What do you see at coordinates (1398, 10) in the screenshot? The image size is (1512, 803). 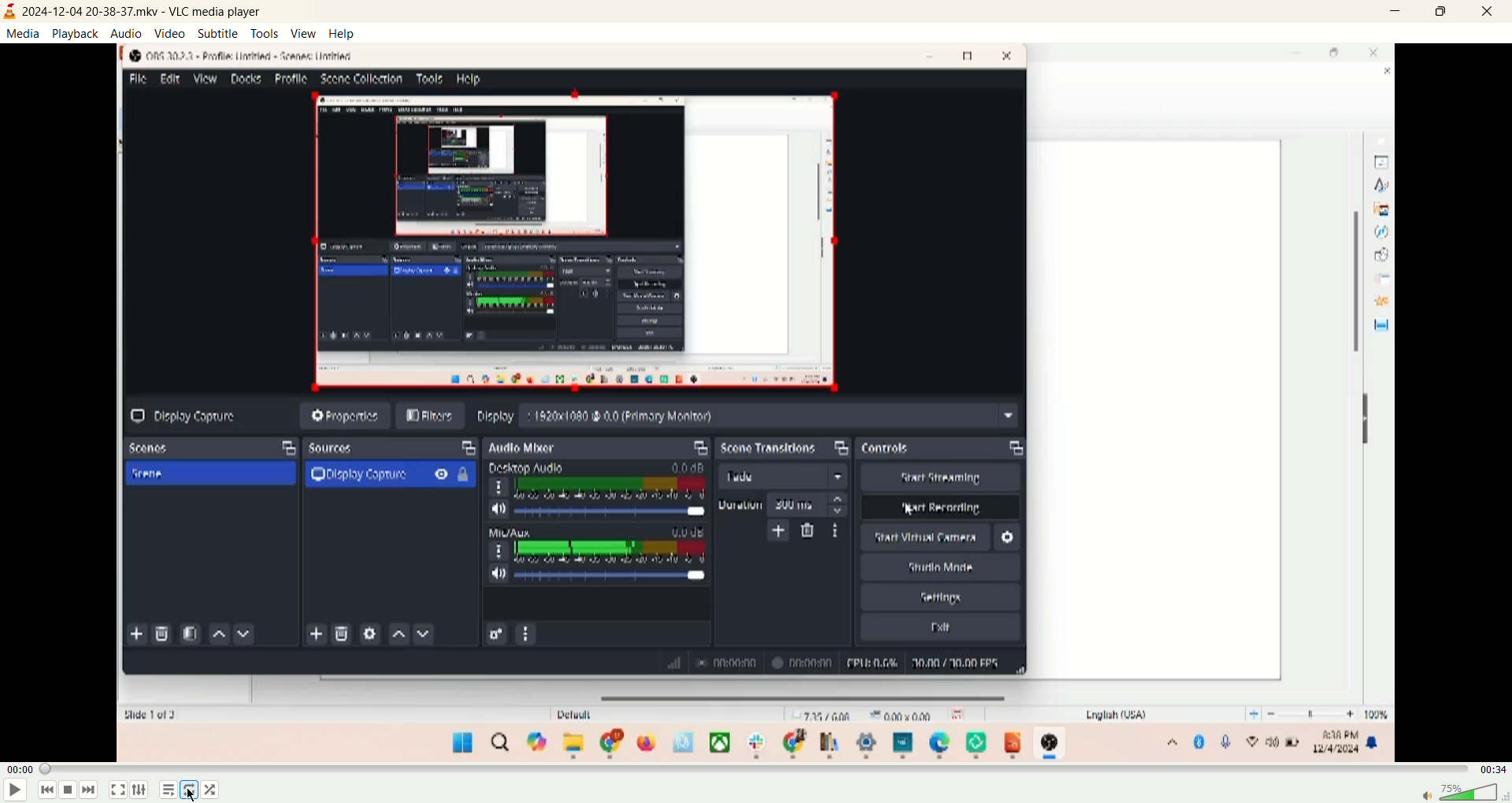 I see `minimize` at bounding box center [1398, 10].